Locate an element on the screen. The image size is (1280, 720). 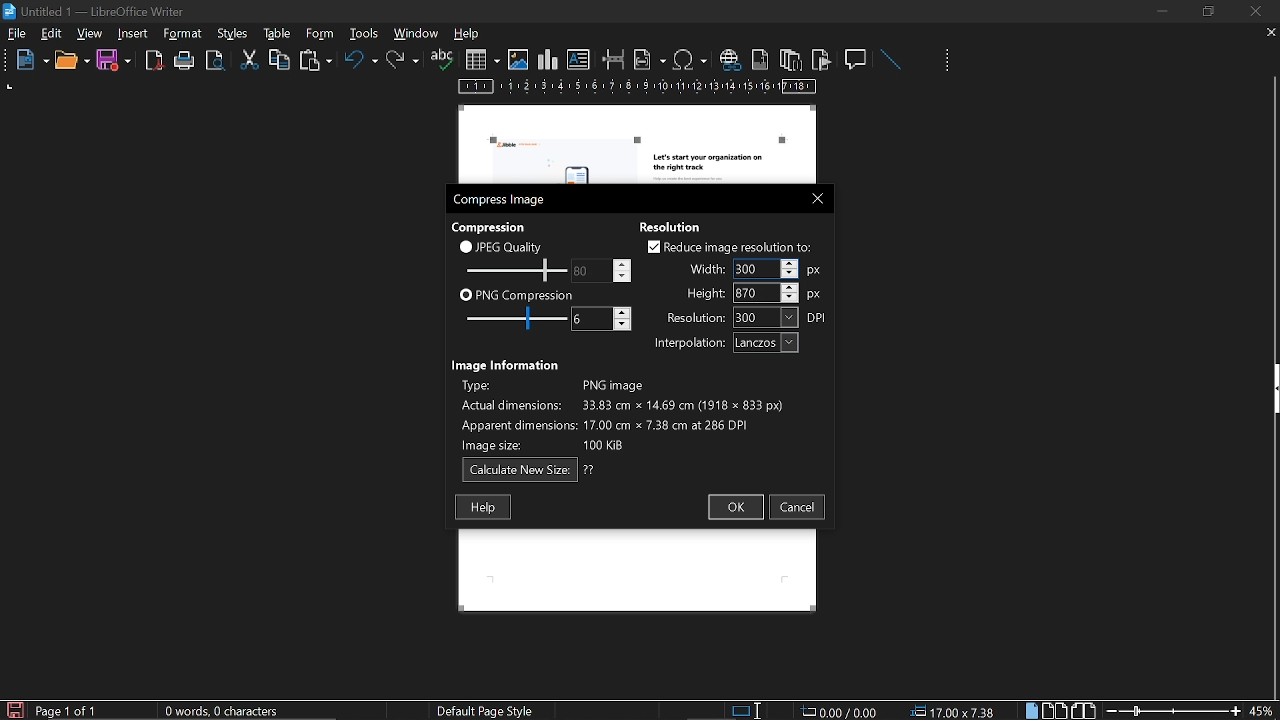
resolution is located at coordinates (747, 317).